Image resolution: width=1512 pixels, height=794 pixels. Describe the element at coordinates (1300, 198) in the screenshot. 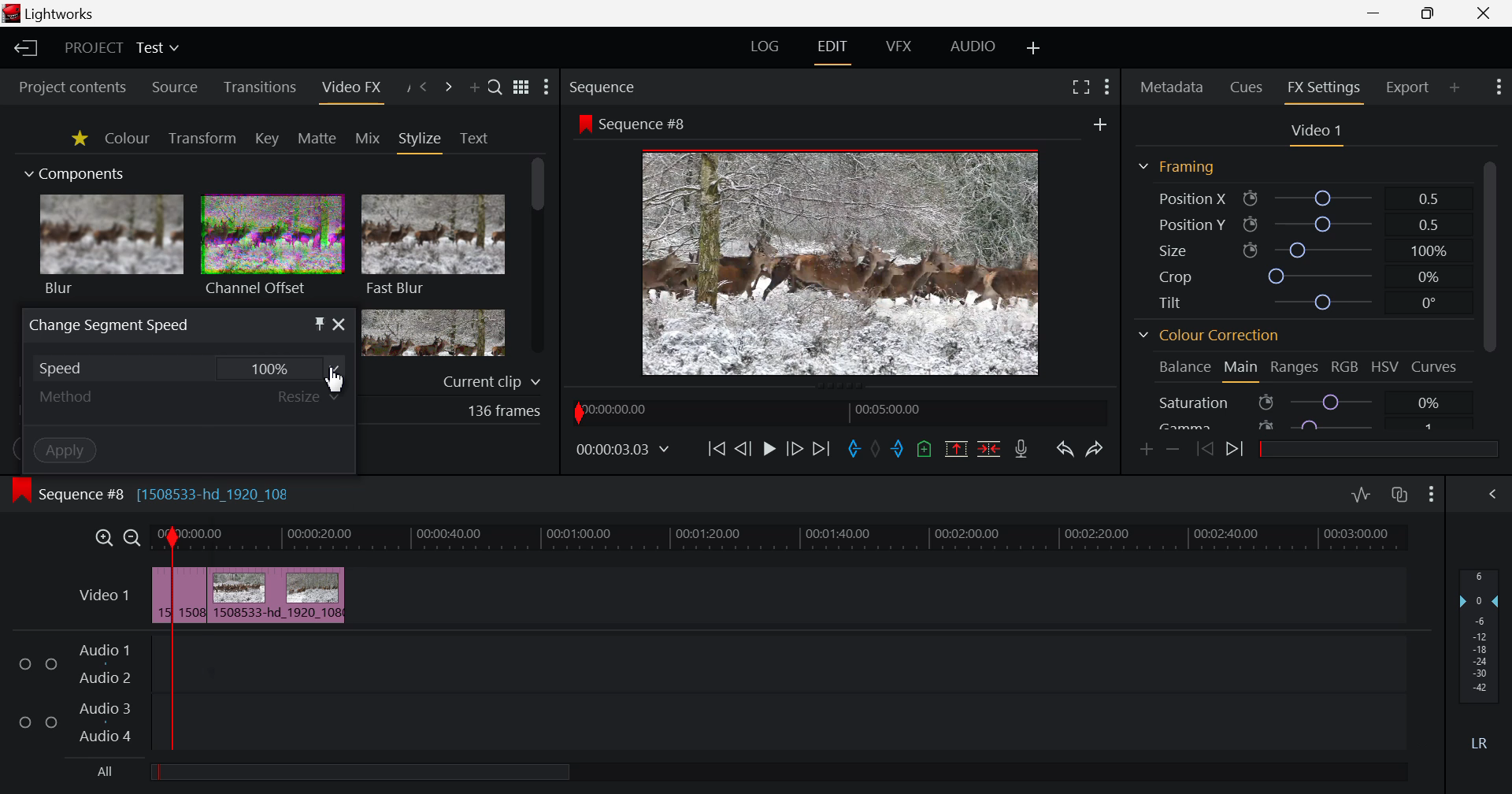

I see `Position X` at that location.